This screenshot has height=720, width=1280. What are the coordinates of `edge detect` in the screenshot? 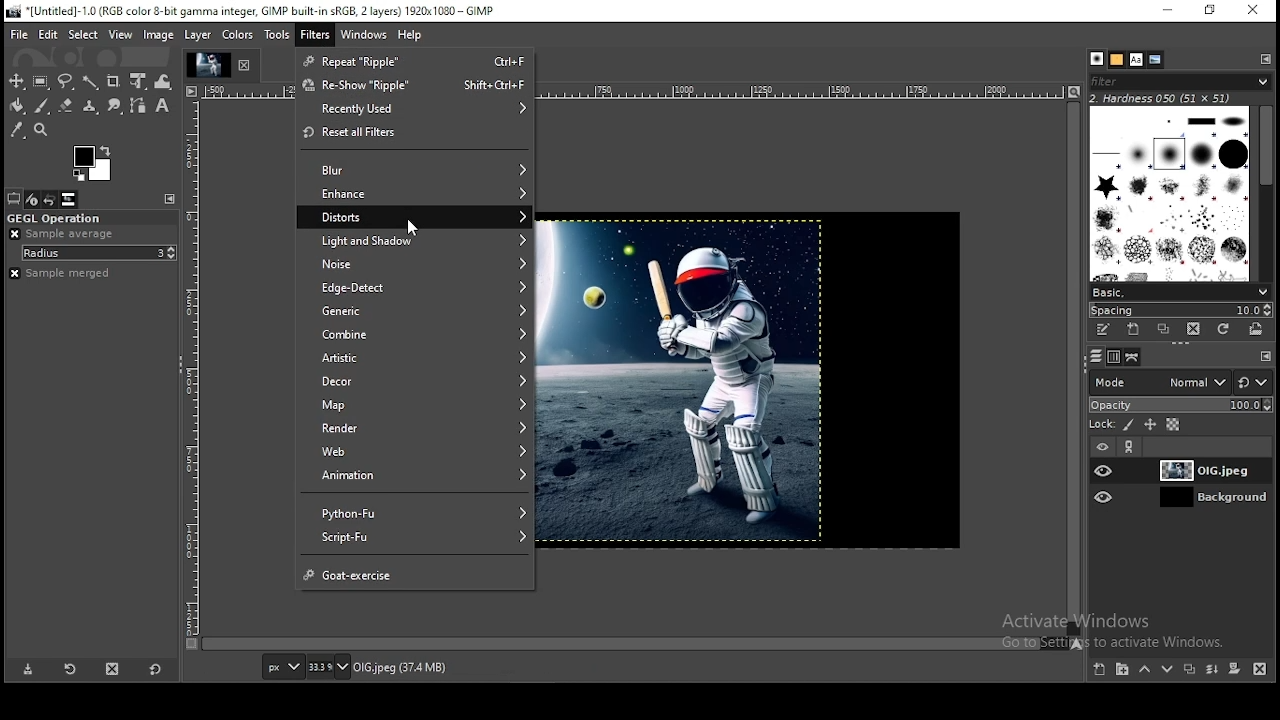 It's located at (424, 289).